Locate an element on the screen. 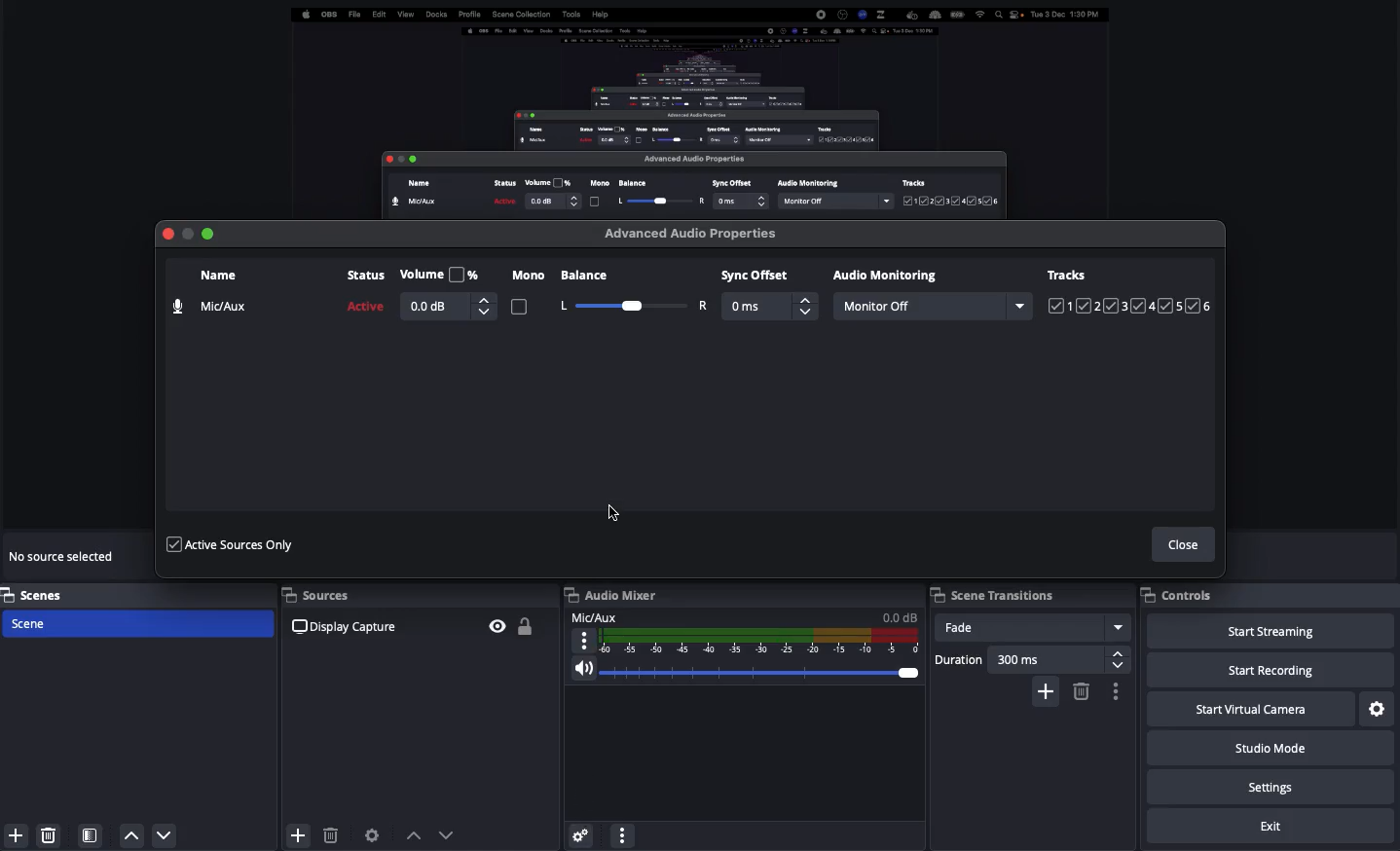 This screenshot has width=1400, height=851. Mic/aux is located at coordinates (746, 632).